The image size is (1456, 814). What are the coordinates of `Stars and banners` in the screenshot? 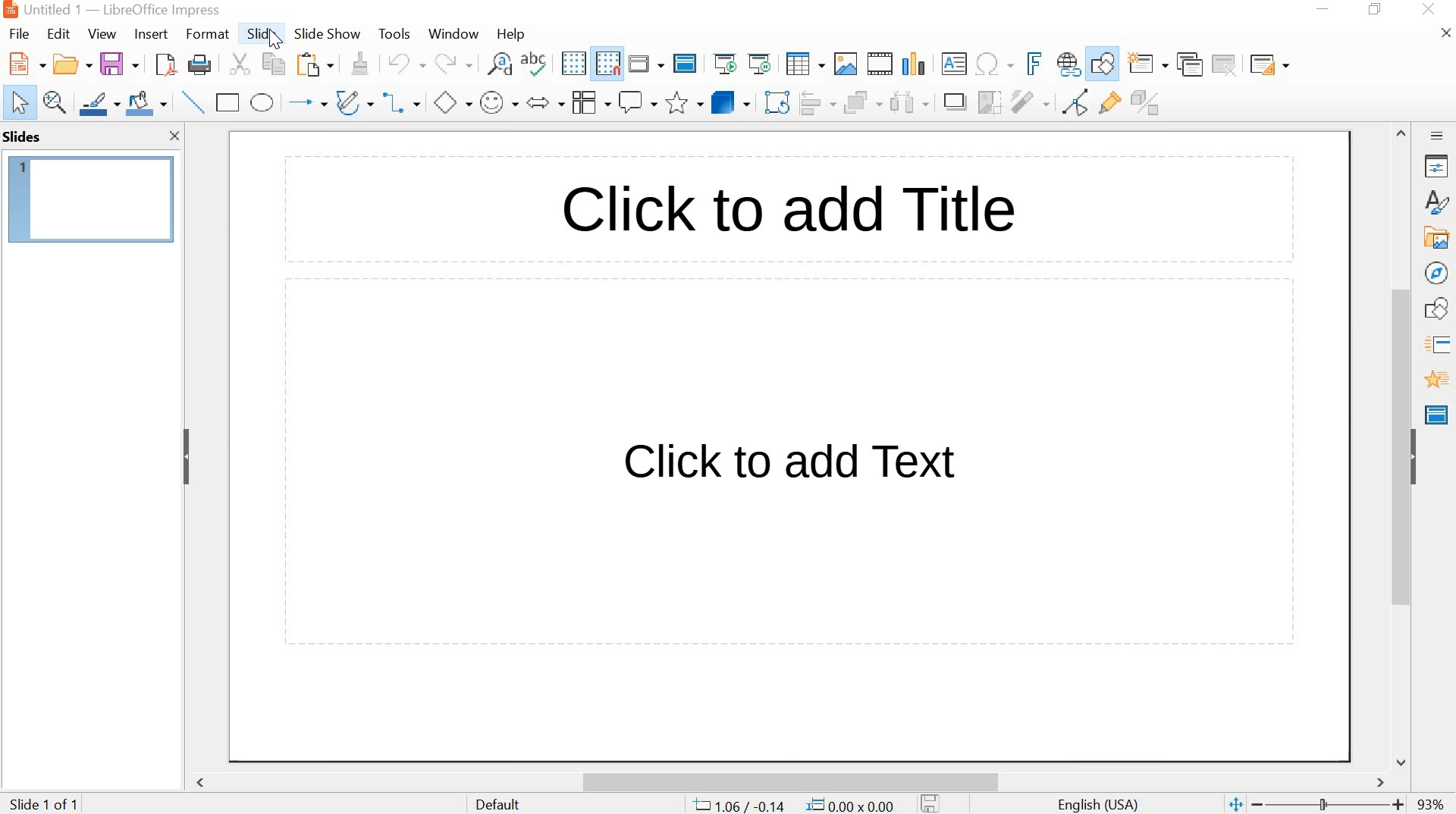 It's located at (683, 104).